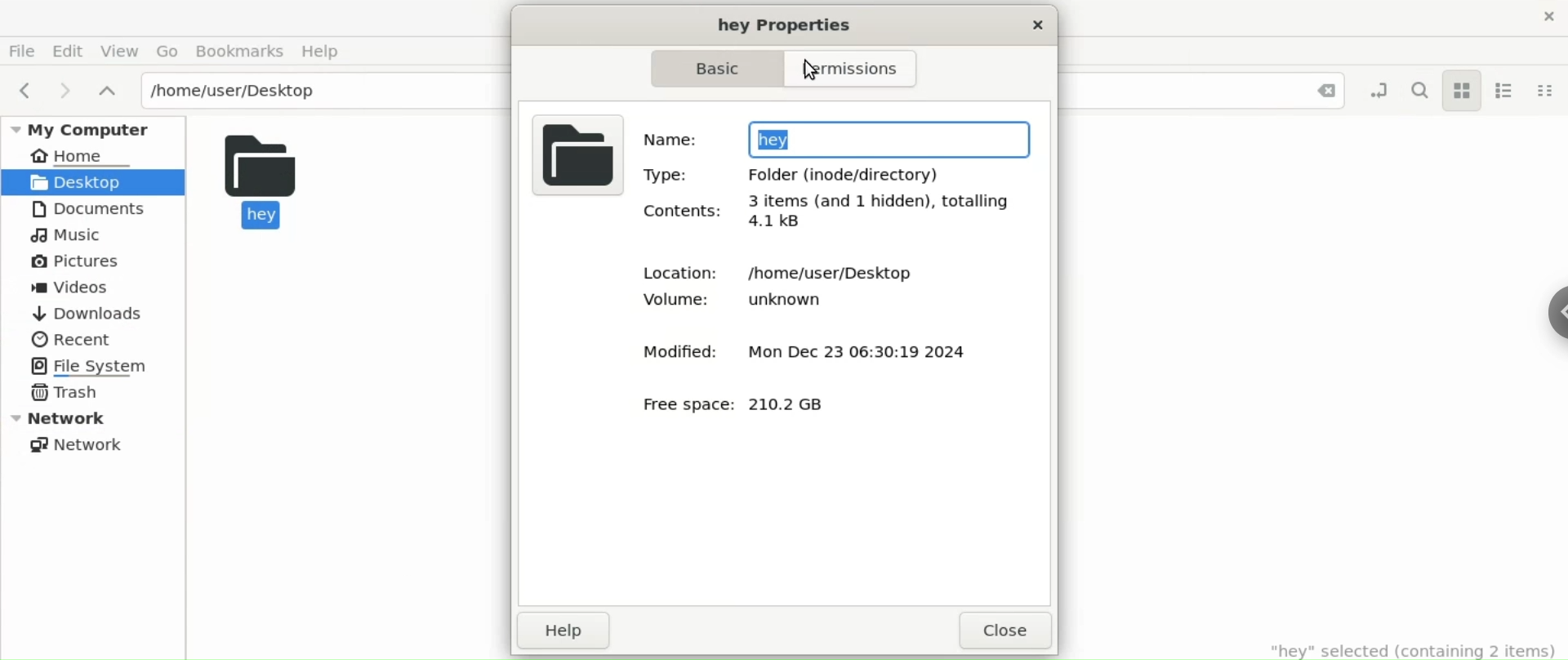  Describe the element at coordinates (321, 51) in the screenshot. I see `Help` at that location.